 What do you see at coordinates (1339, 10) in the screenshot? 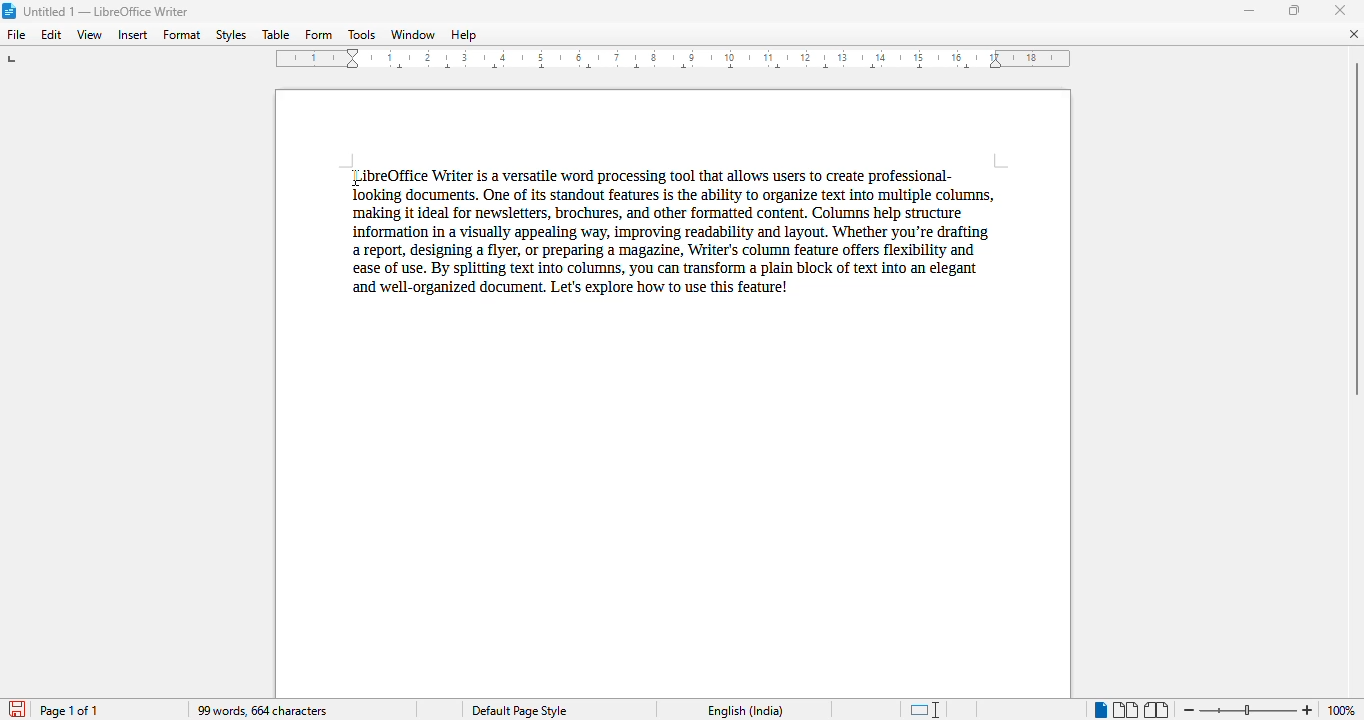
I see `close` at bounding box center [1339, 10].